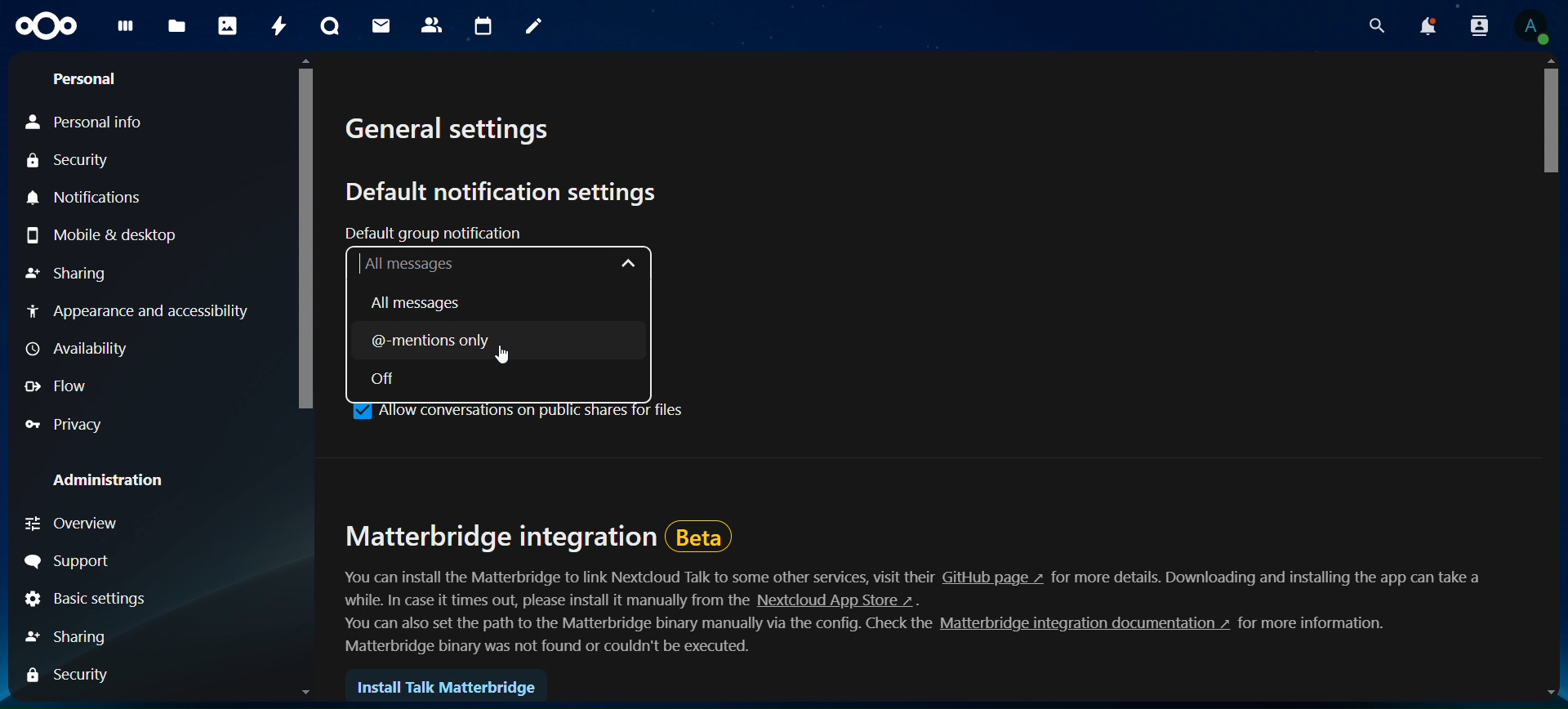 This screenshot has width=1568, height=709. What do you see at coordinates (332, 26) in the screenshot?
I see `talk` at bounding box center [332, 26].